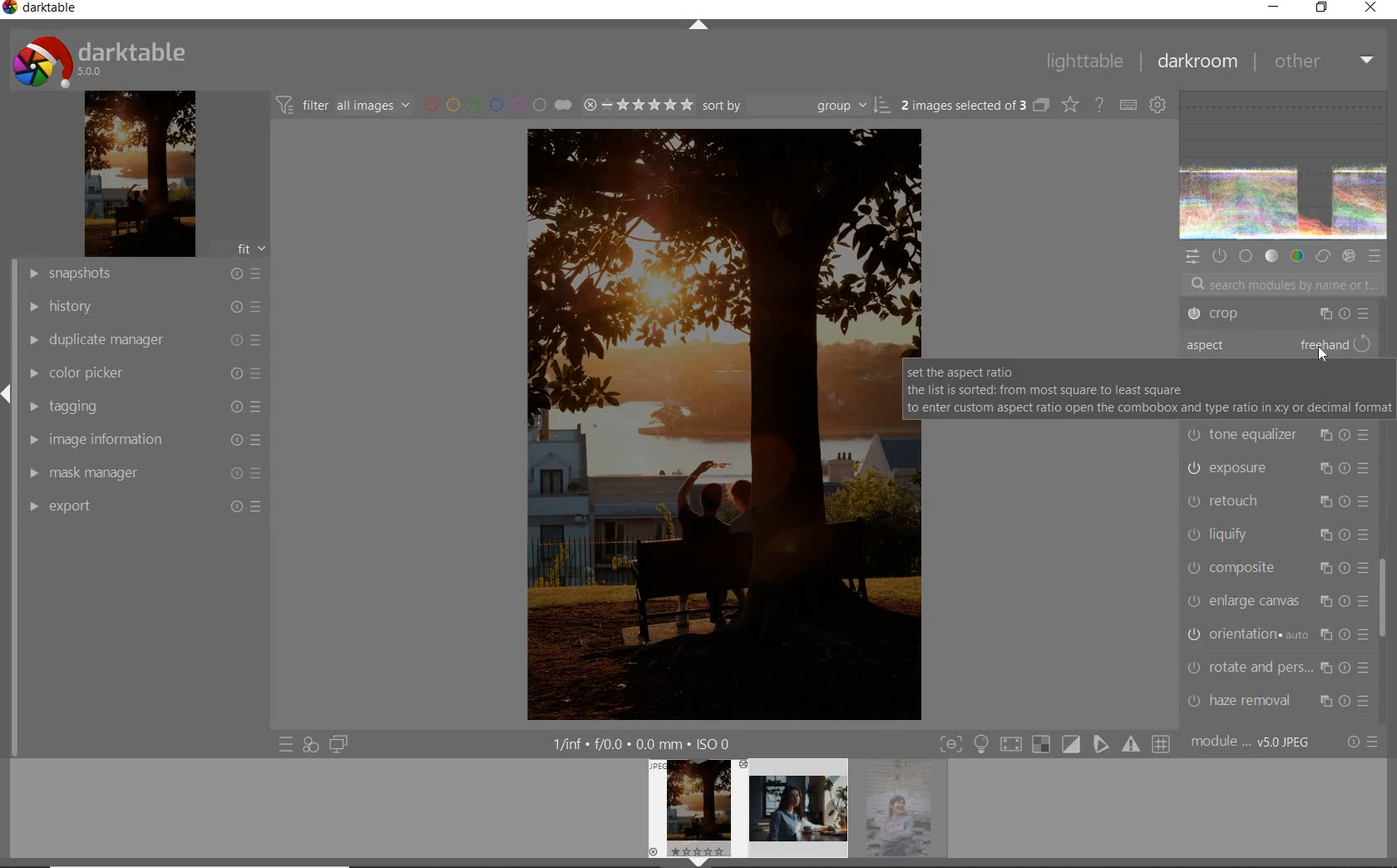 The width and height of the screenshot is (1397, 868). What do you see at coordinates (143, 405) in the screenshot?
I see `tagging` at bounding box center [143, 405].